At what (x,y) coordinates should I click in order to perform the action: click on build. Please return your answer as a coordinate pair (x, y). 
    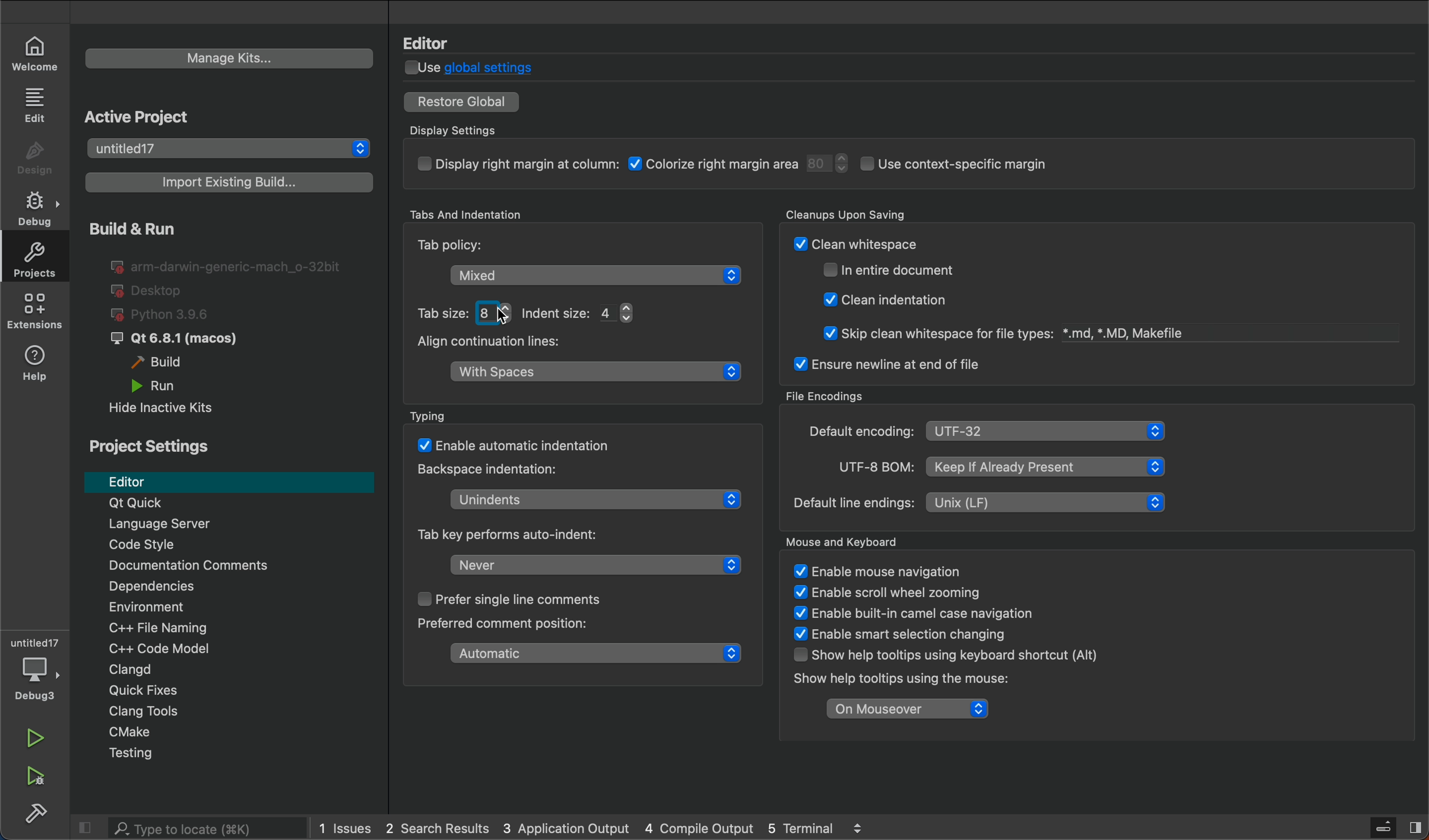
    Looking at the image, I should click on (39, 817).